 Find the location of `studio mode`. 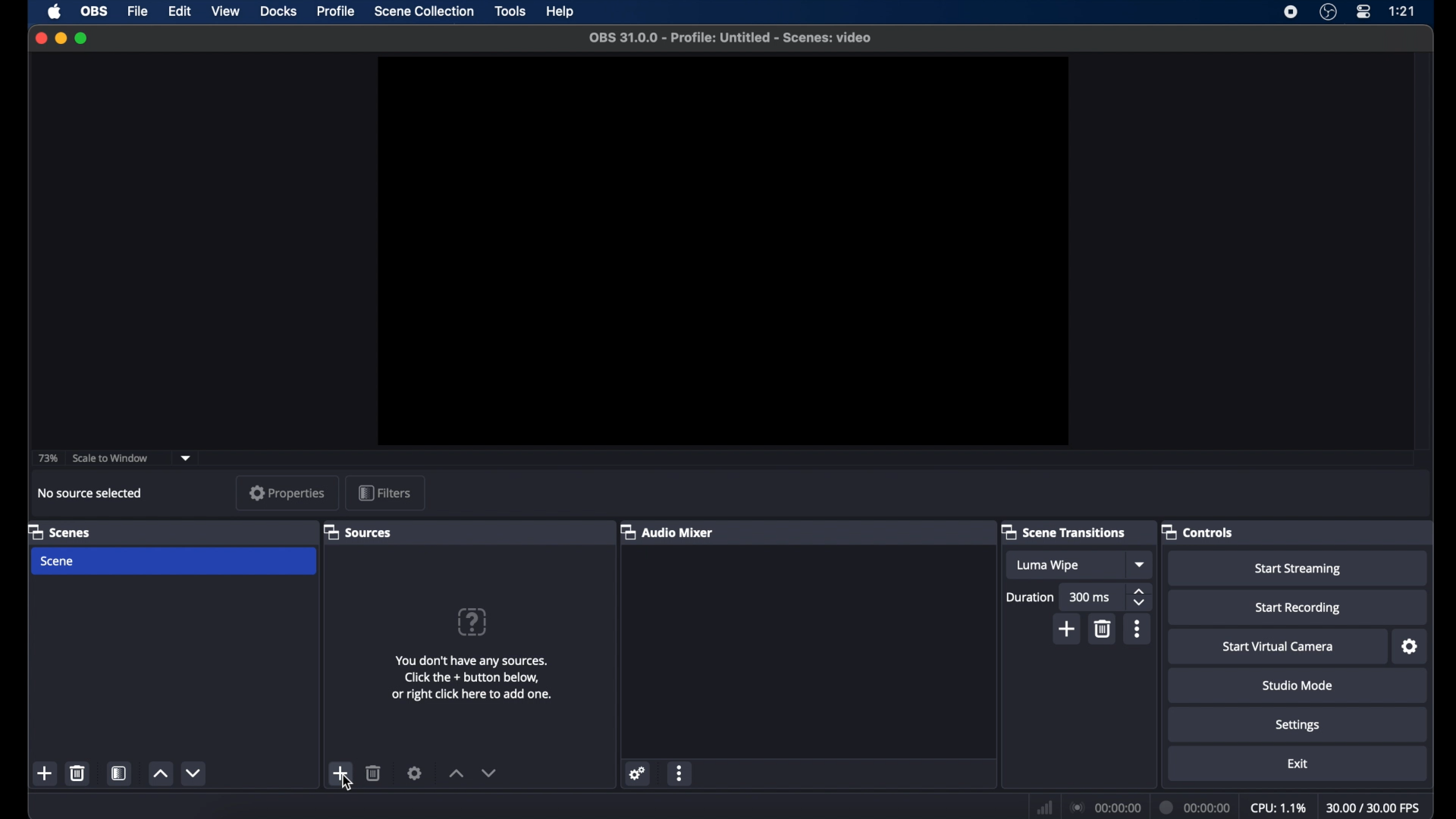

studio mode is located at coordinates (1295, 686).